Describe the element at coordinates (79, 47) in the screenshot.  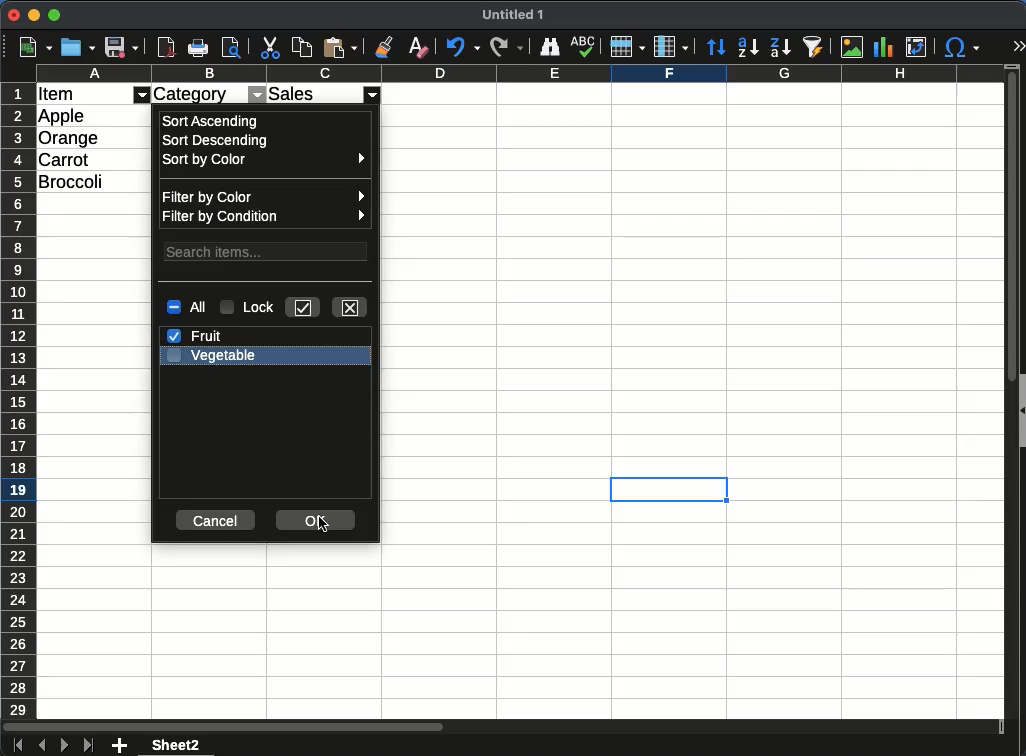
I see `open` at that location.